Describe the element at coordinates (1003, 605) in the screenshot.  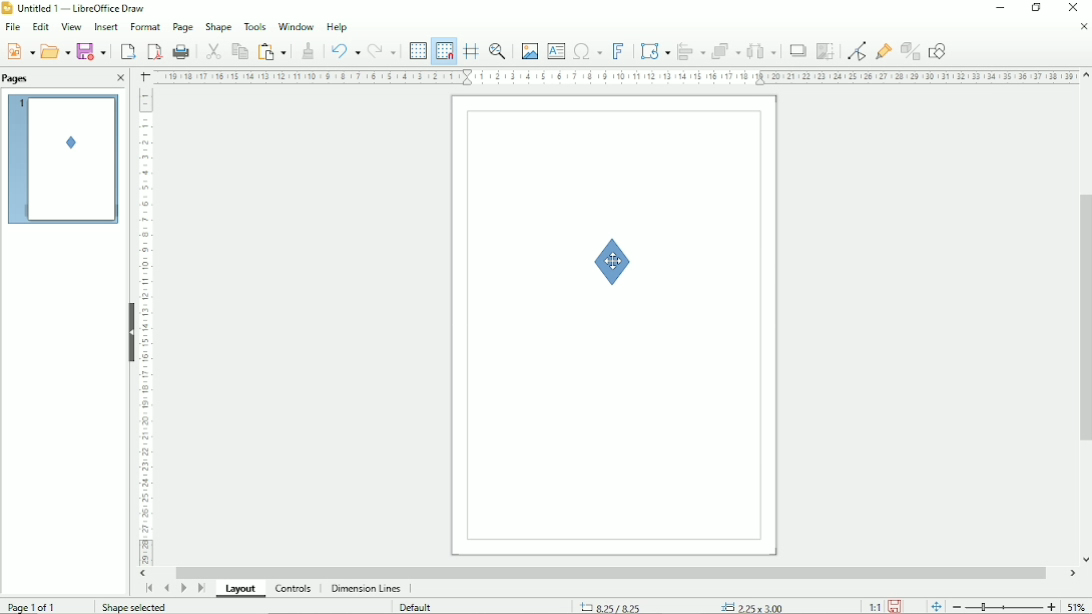
I see `Zoom out/in` at that location.